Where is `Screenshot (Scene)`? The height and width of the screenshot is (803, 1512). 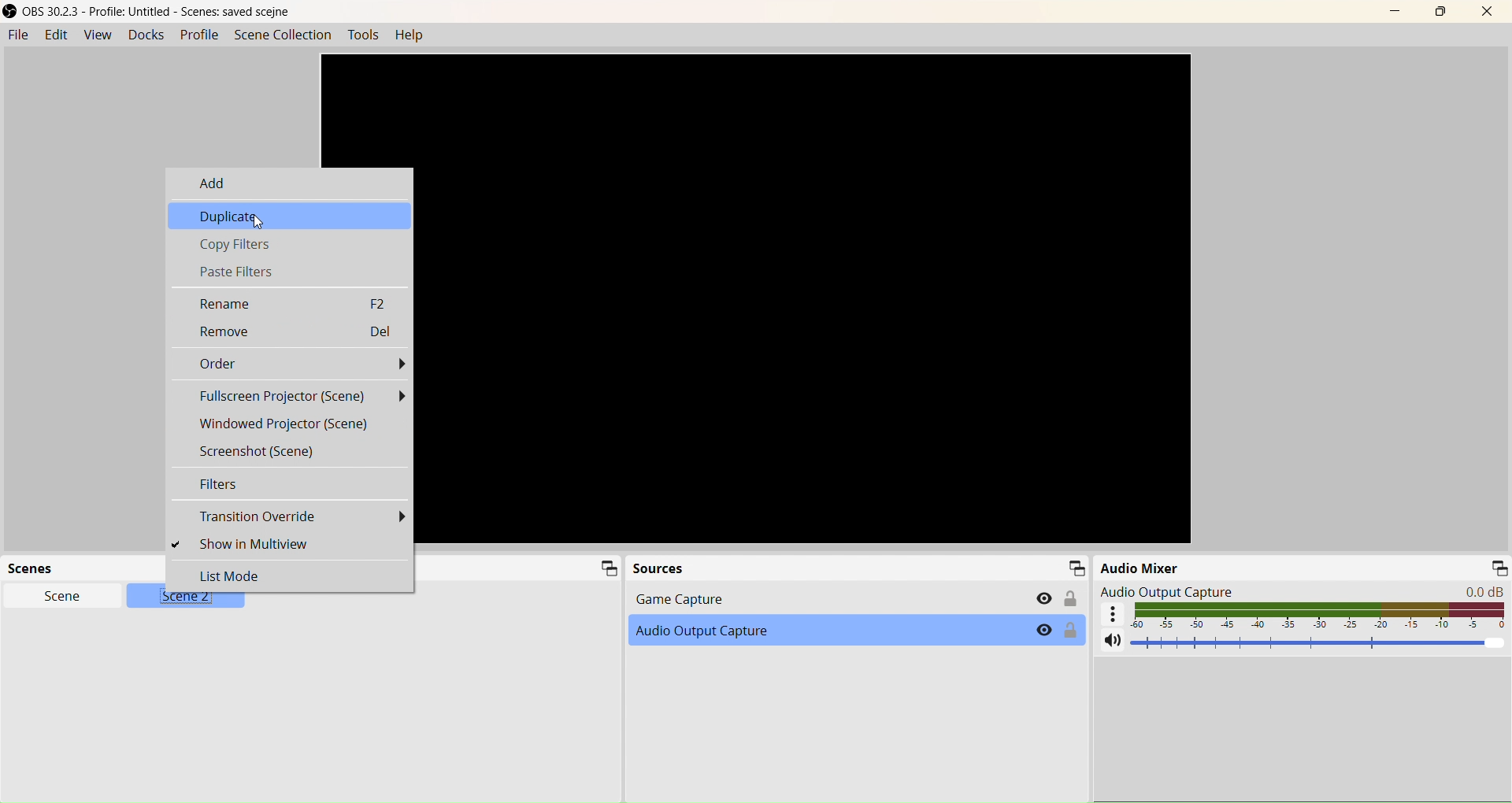
Screenshot (Scene) is located at coordinates (288, 449).